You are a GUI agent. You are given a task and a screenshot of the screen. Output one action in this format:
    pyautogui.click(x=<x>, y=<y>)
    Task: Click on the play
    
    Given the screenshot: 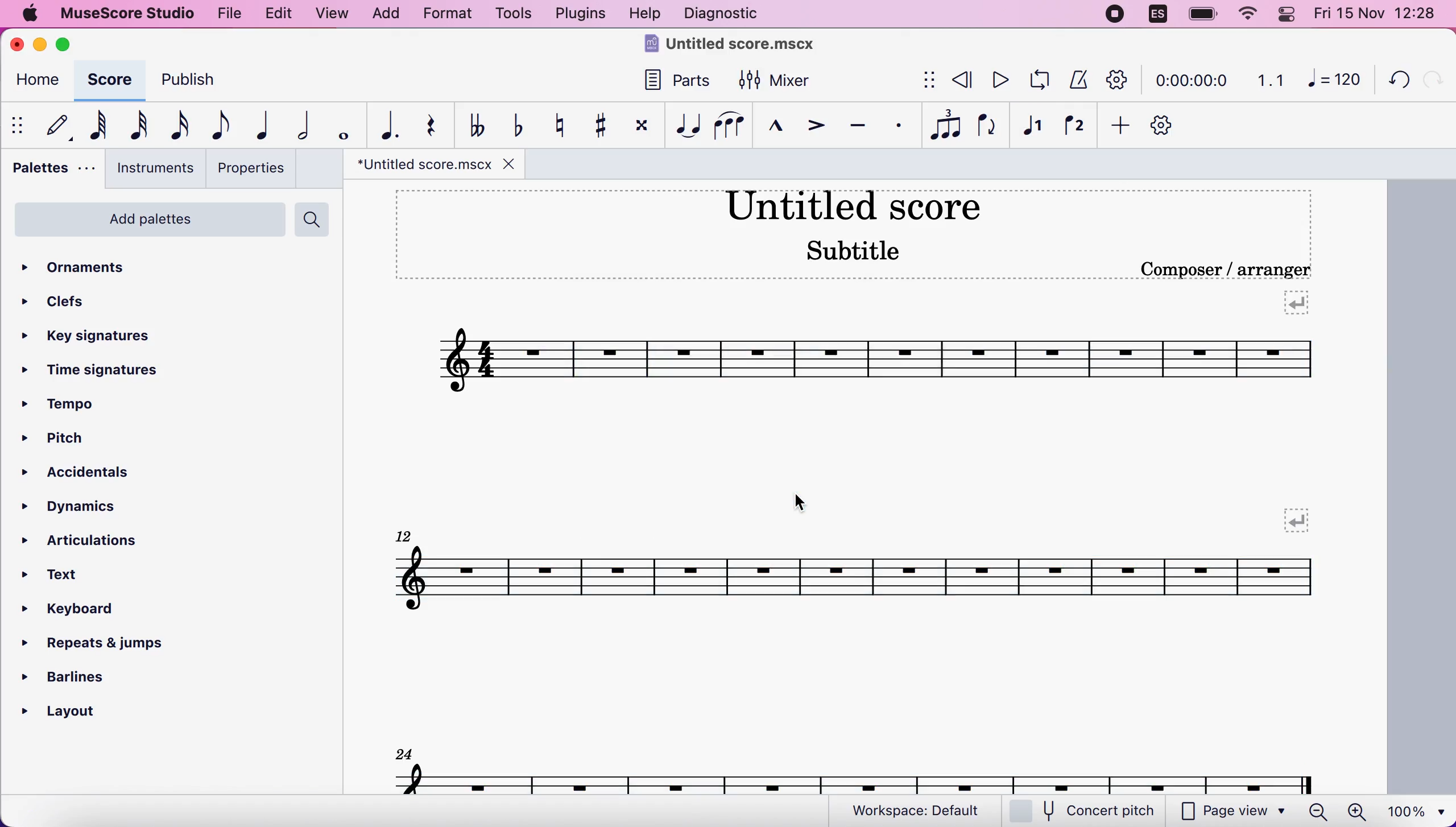 What is the action you would take?
    pyautogui.click(x=998, y=80)
    